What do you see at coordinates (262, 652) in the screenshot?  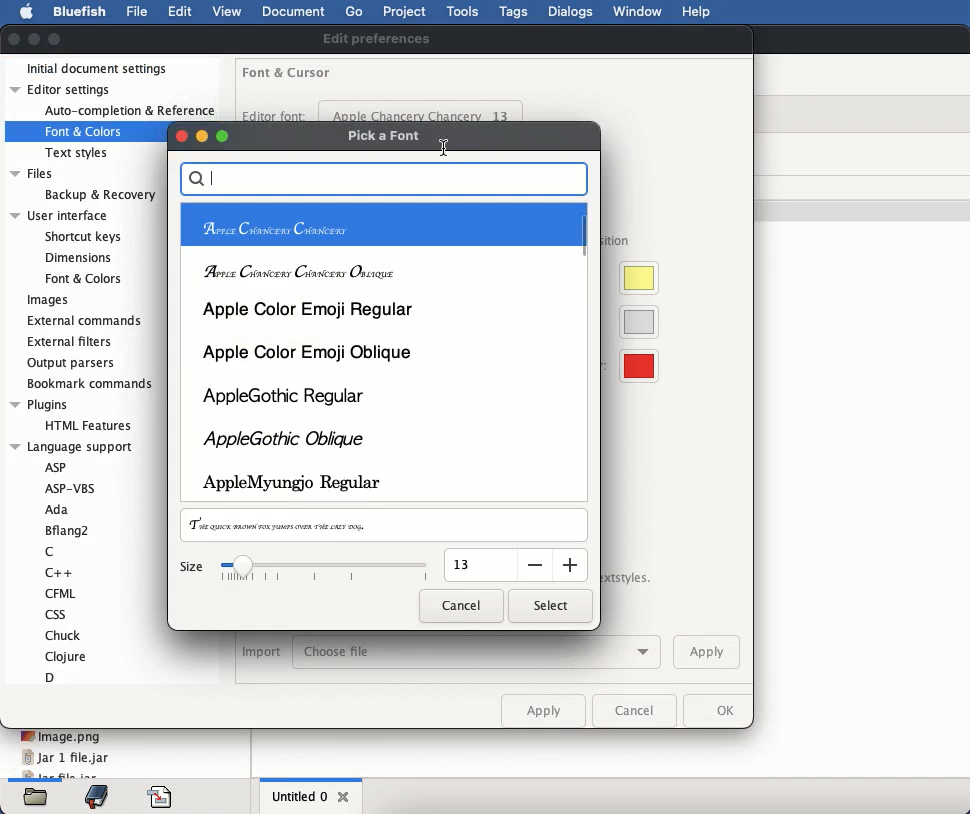 I see `import` at bounding box center [262, 652].